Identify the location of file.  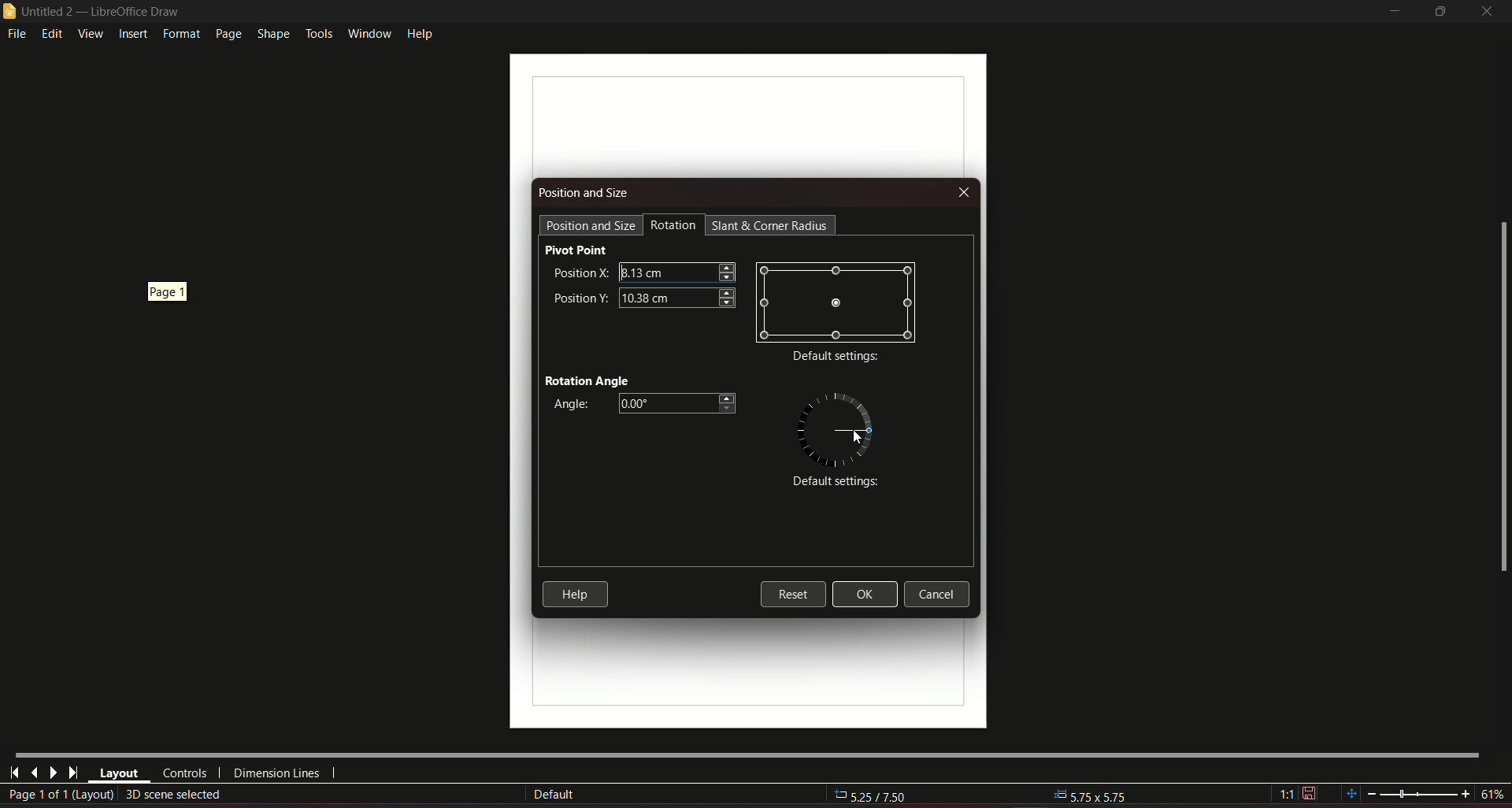
(18, 35).